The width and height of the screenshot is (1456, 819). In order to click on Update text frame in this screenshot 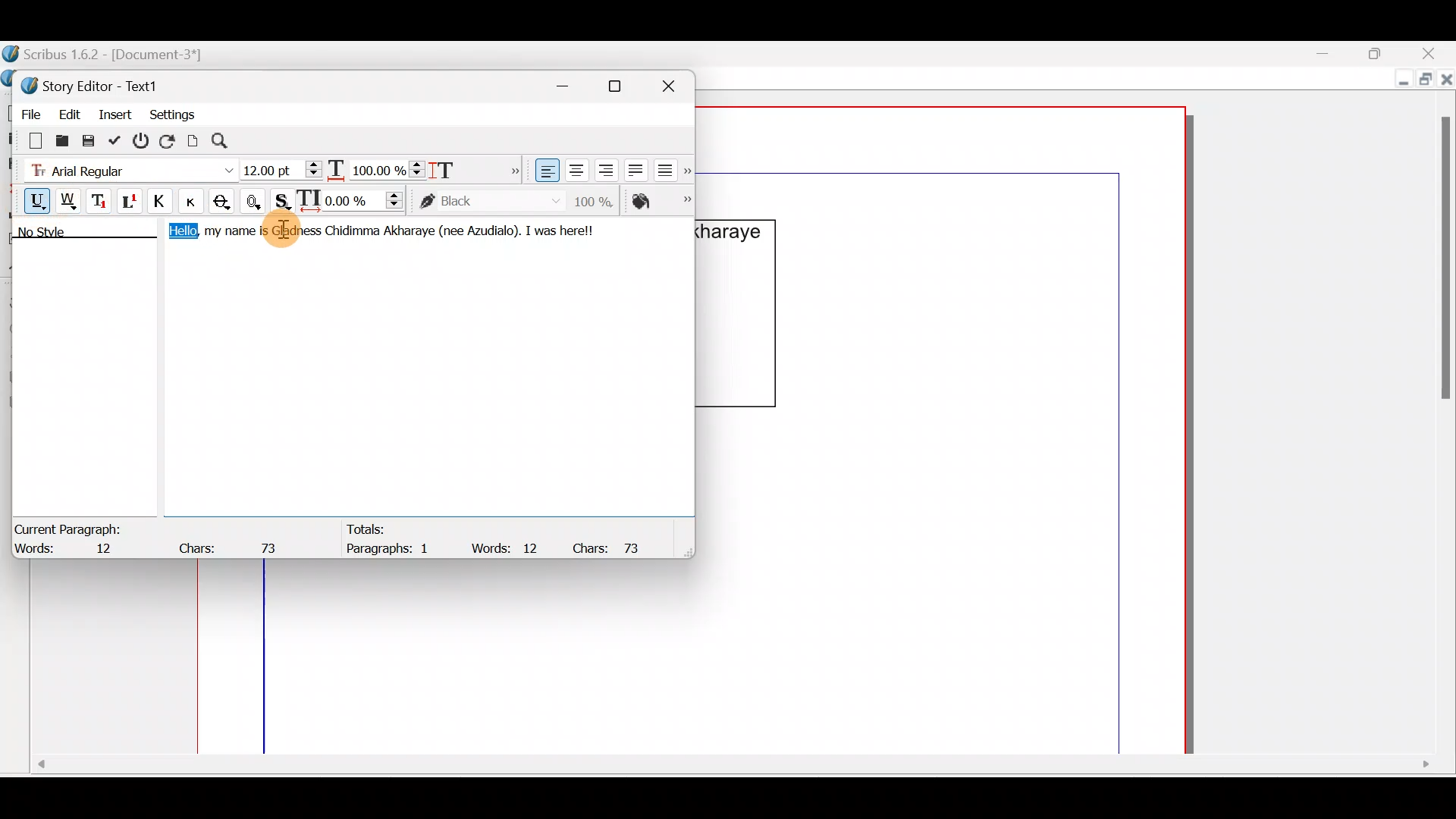, I will do `click(193, 139)`.